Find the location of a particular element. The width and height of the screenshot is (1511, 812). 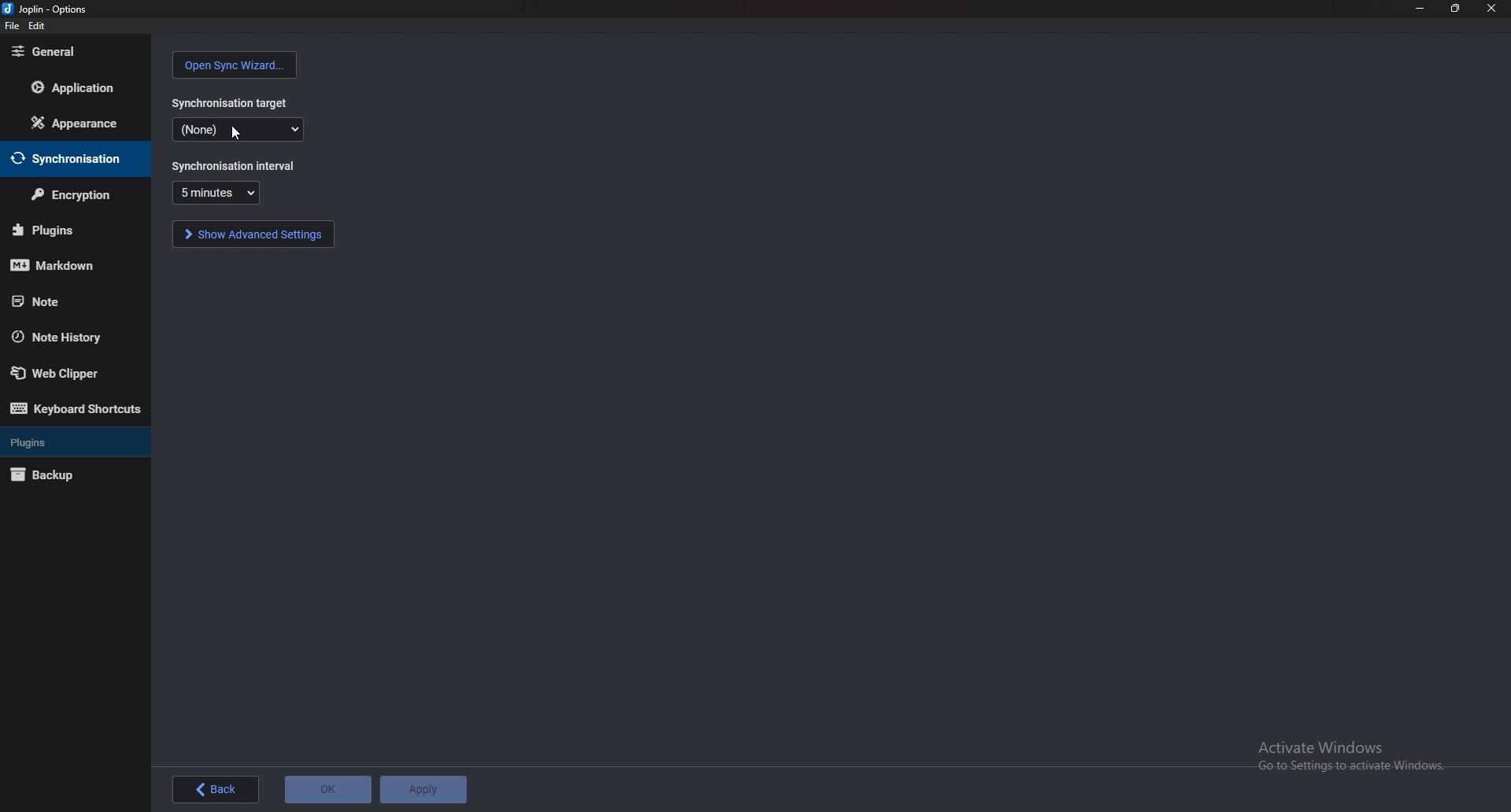

Synchronization is located at coordinates (79, 158).